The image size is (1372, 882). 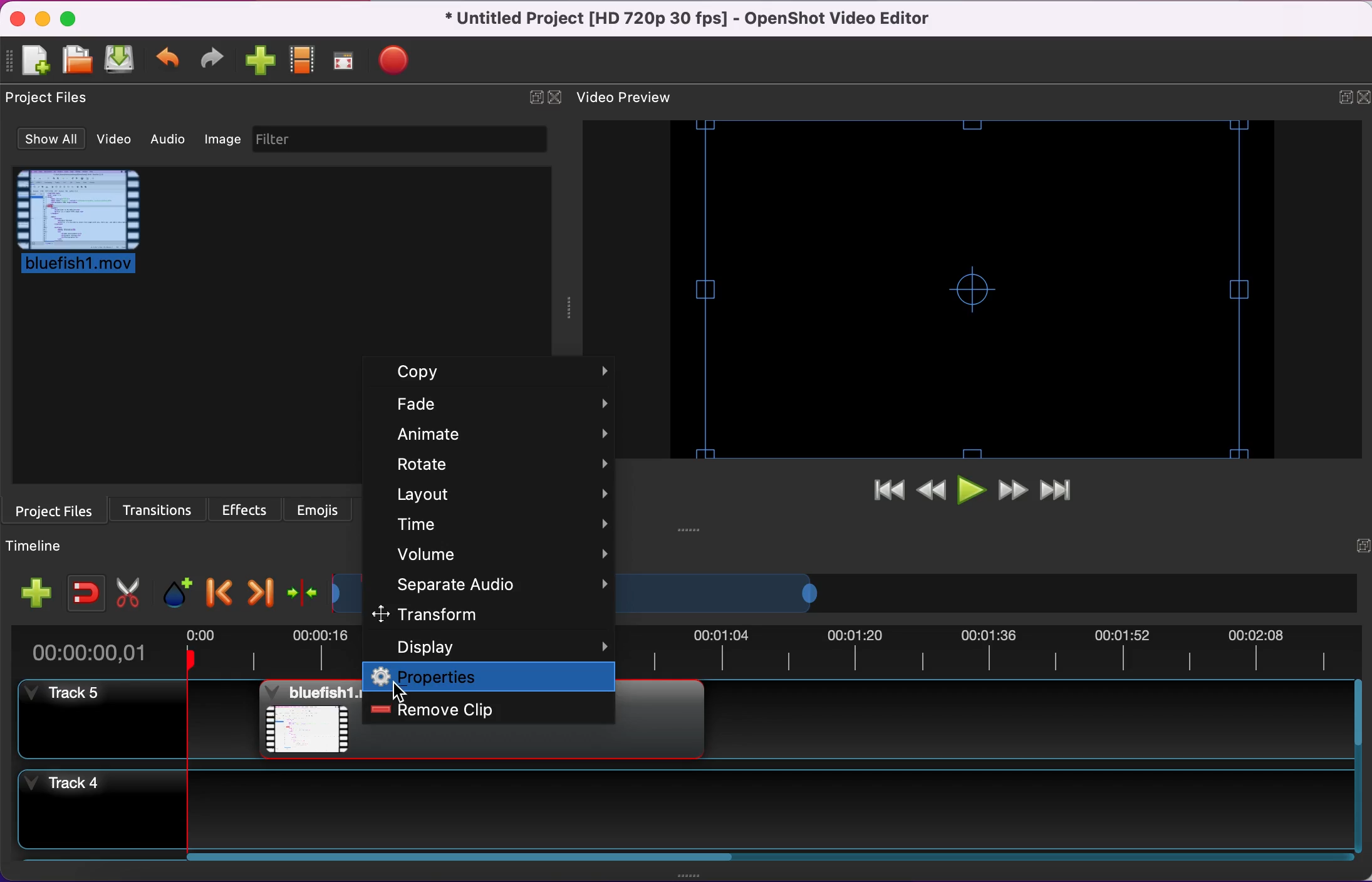 I want to click on separate audio, so click(x=497, y=585).